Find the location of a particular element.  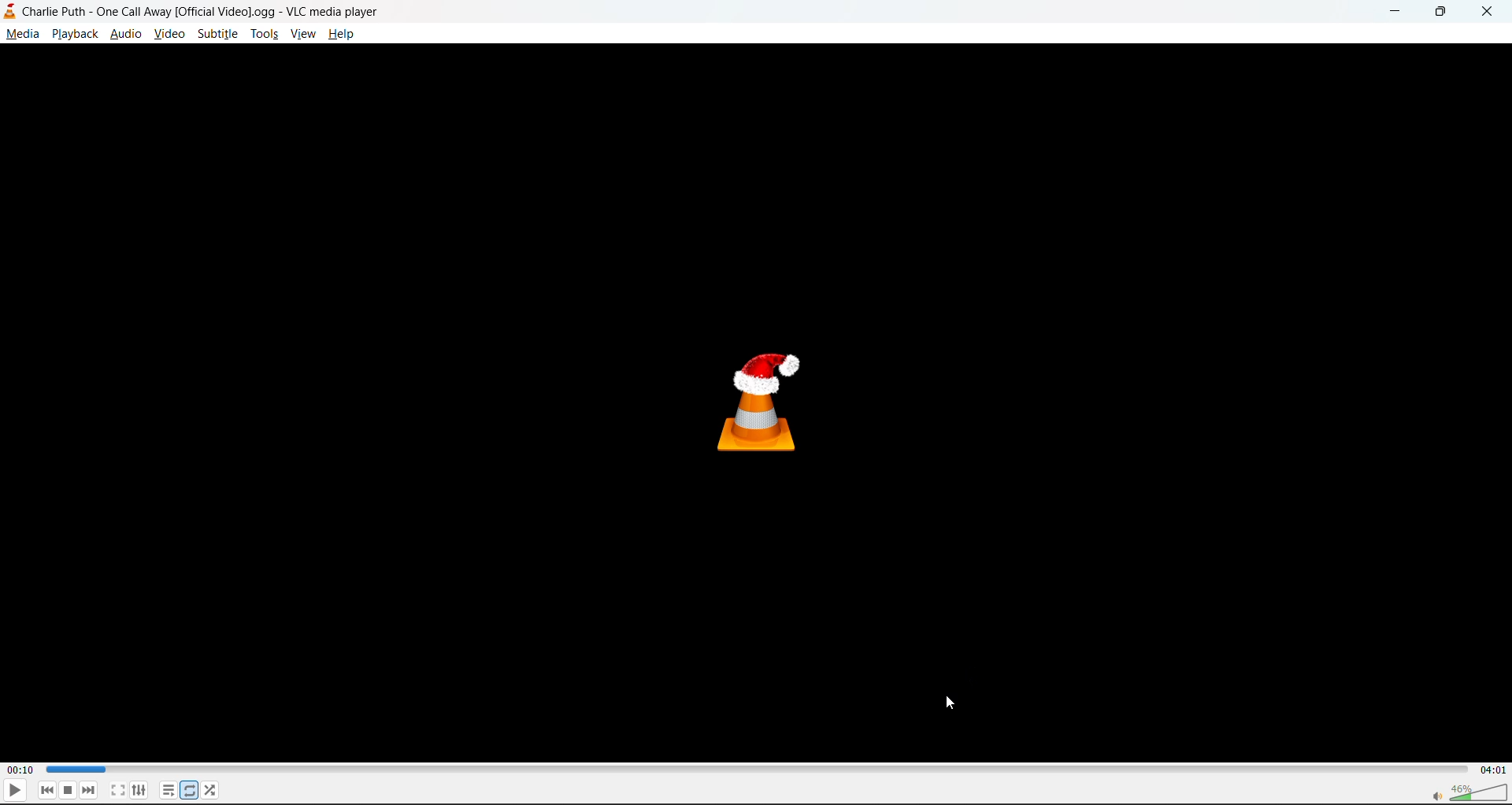

loop is located at coordinates (190, 791).